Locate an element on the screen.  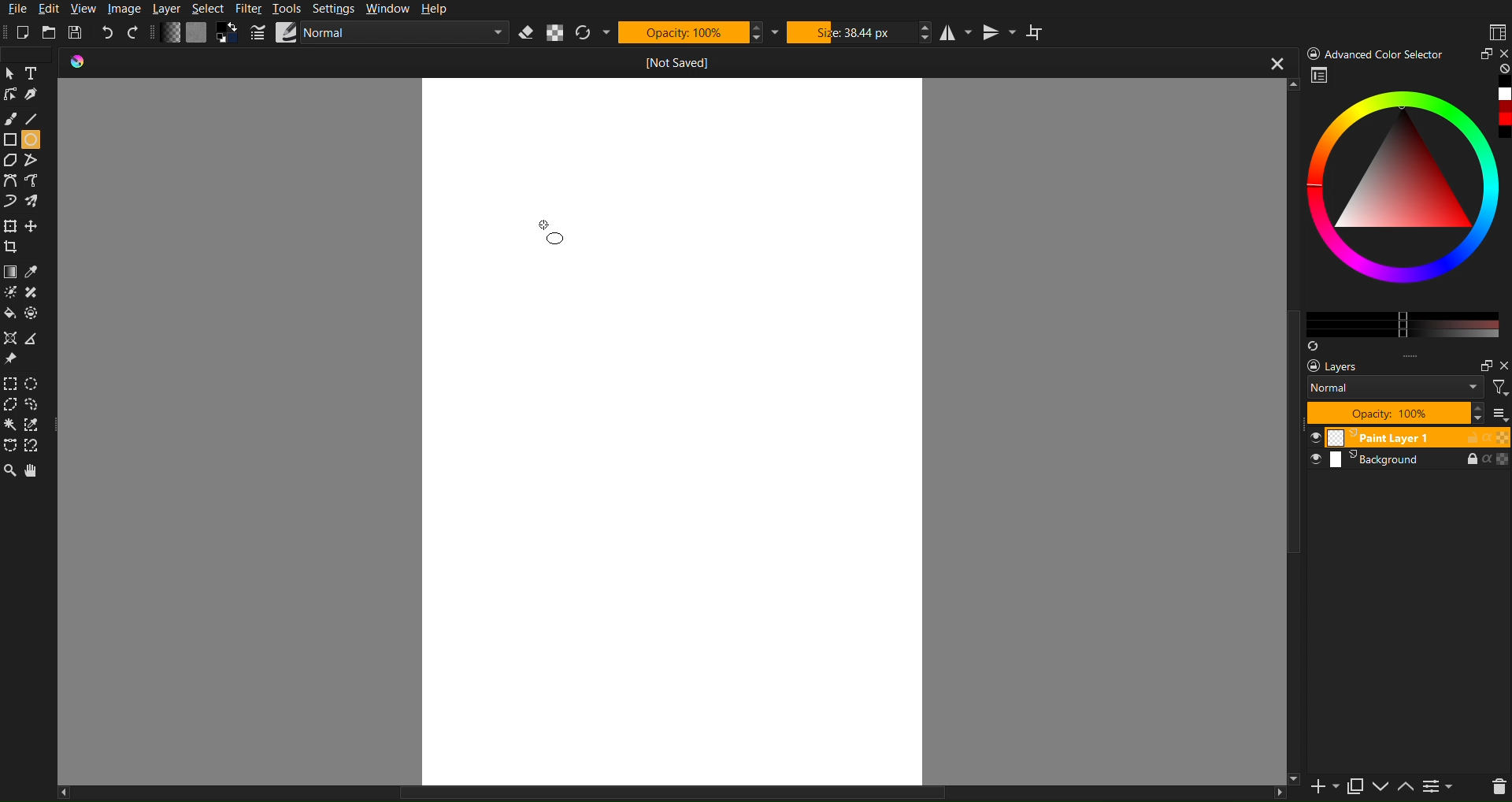
Circle is located at coordinates (33, 139).